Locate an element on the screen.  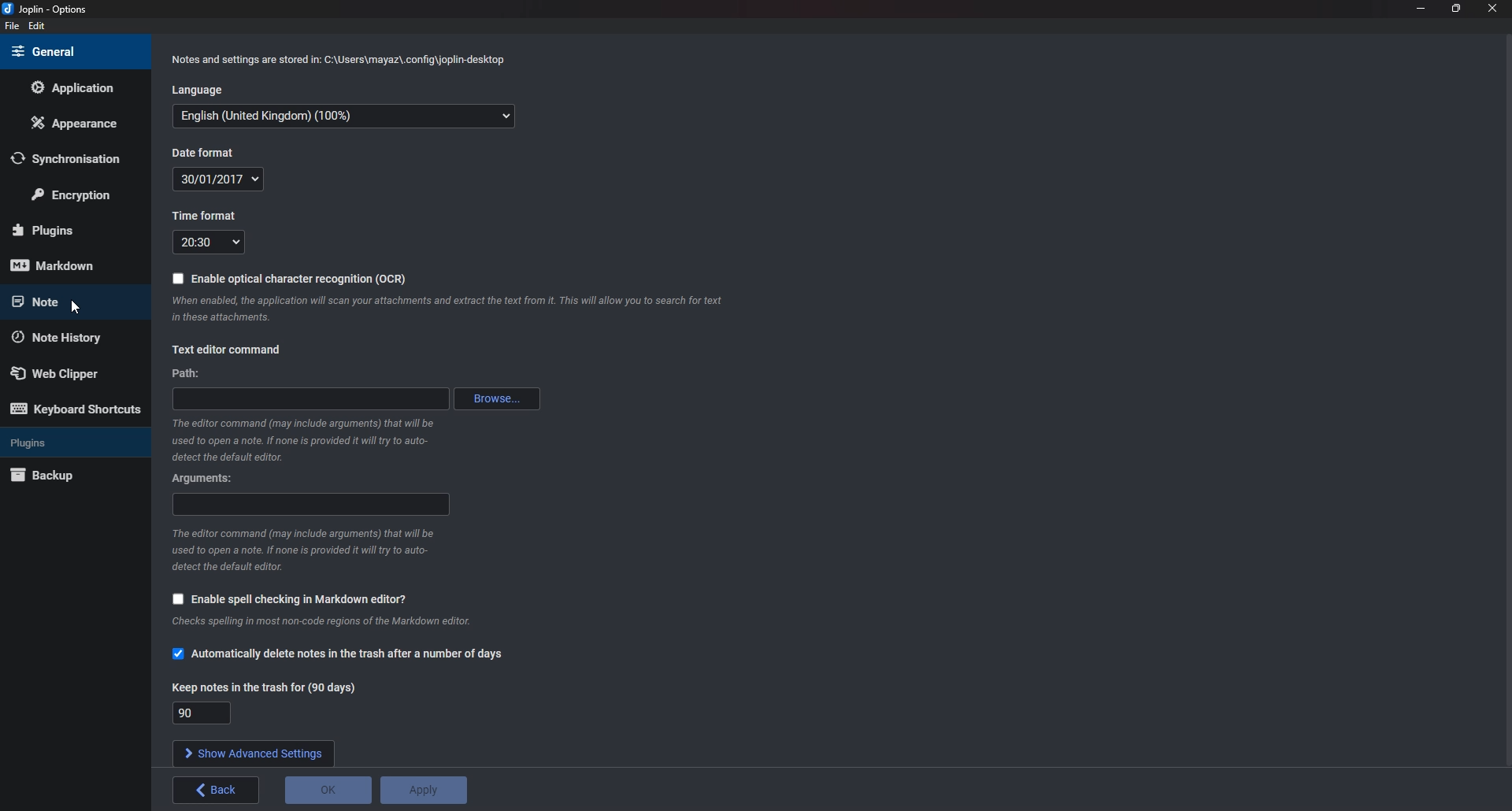
Automatically delete notes is located at coordinates (356, 655).